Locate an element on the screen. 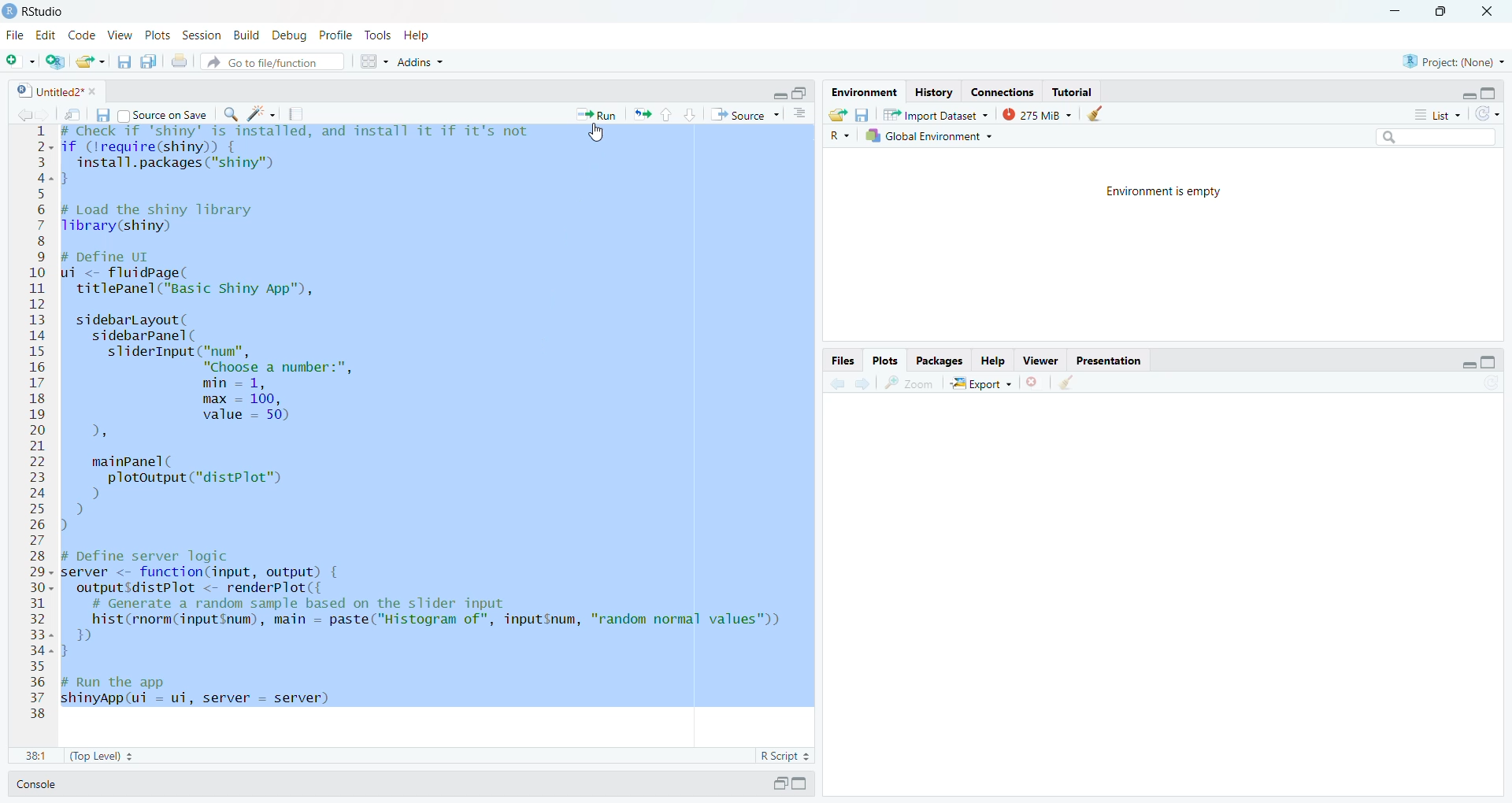  Environment is located at coordinates (865, 92).